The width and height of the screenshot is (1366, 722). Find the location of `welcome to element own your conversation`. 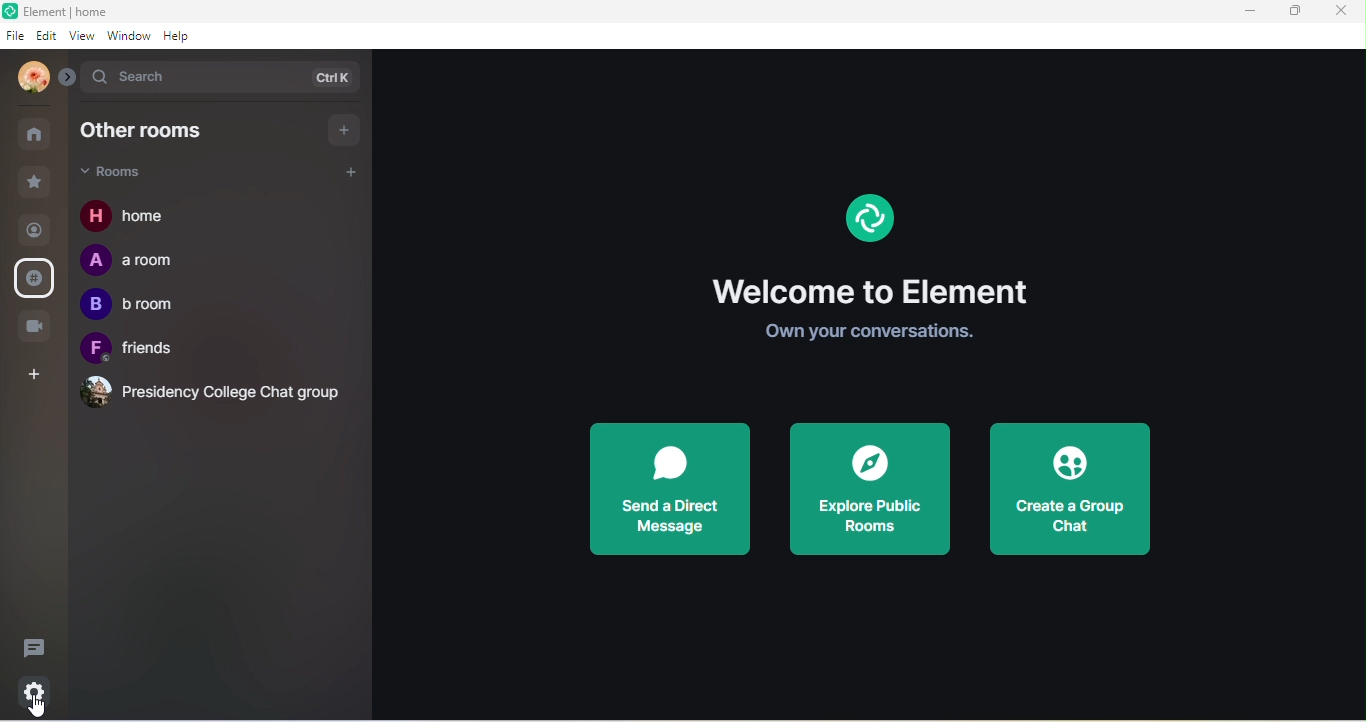

welcome to element own your conversation is located at coordinates (876, 313).